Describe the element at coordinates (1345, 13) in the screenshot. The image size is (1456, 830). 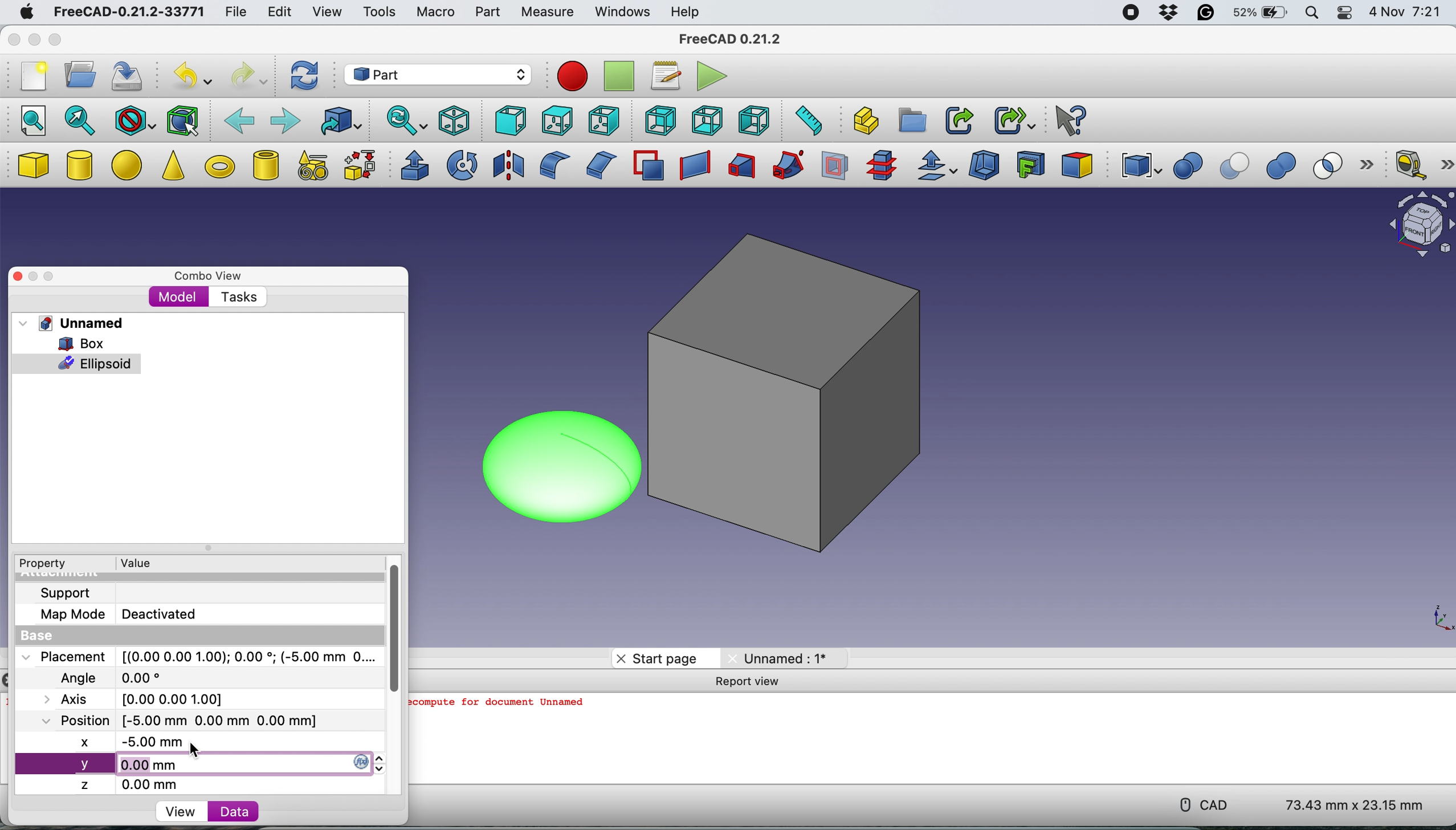
I see `control center` at that location.